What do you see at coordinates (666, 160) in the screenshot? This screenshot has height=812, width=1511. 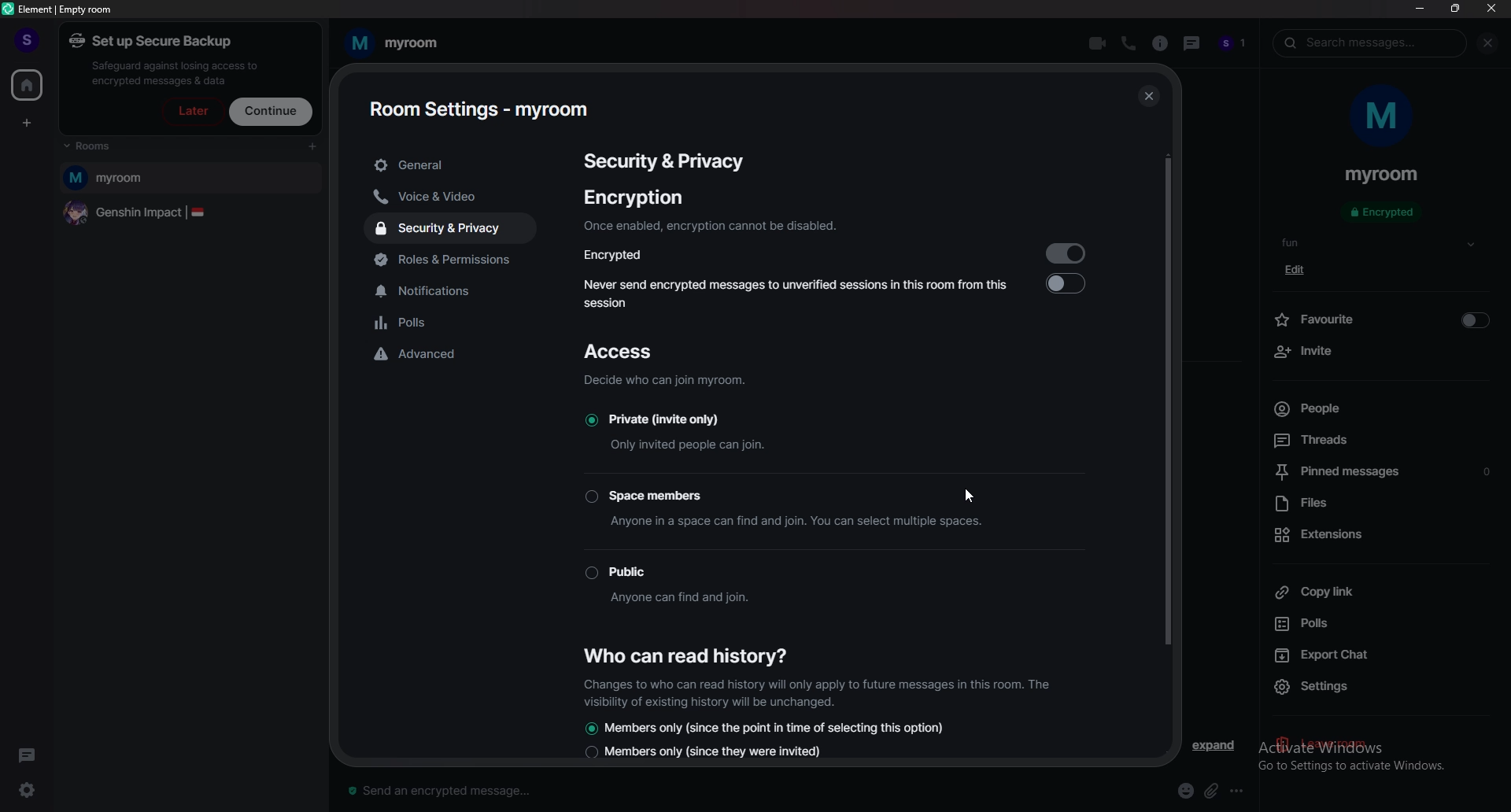 I see `security & privacy` at bounding box center [666, 160].